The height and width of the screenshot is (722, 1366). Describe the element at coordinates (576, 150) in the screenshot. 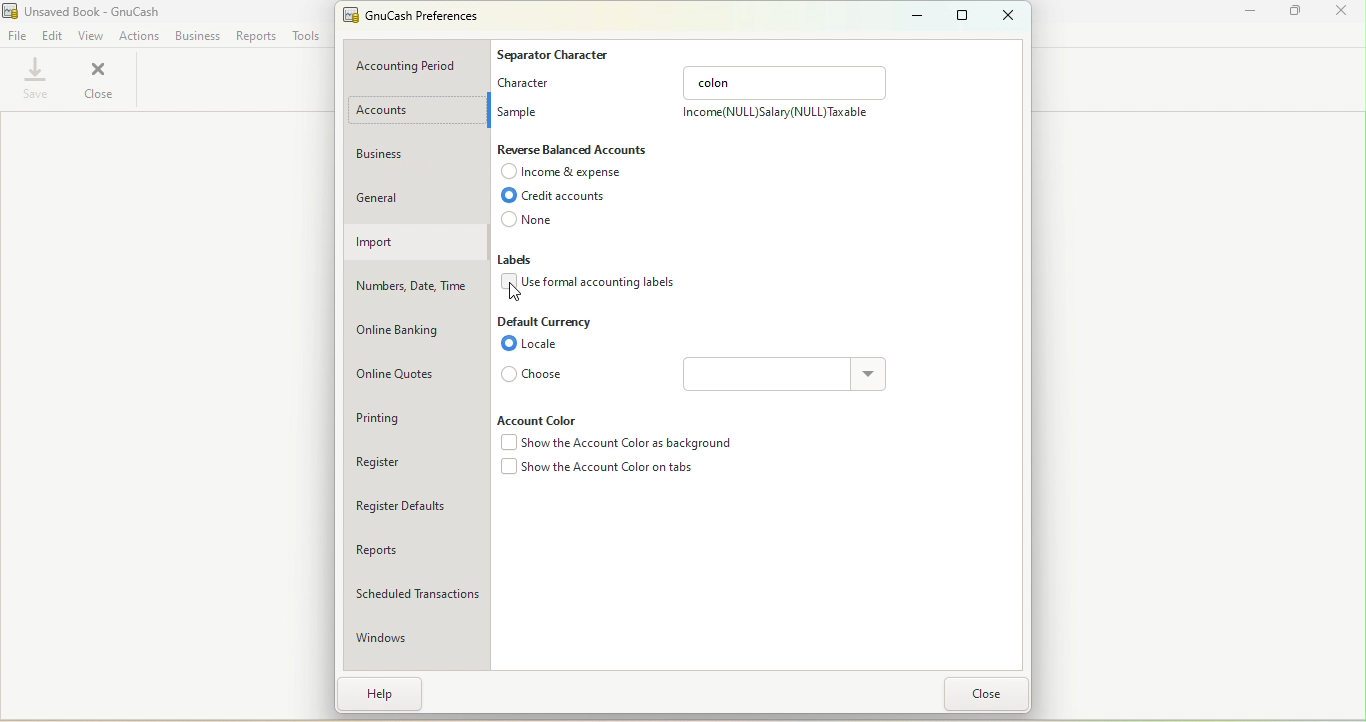

I see `Reverse balanced accounts` at that location.